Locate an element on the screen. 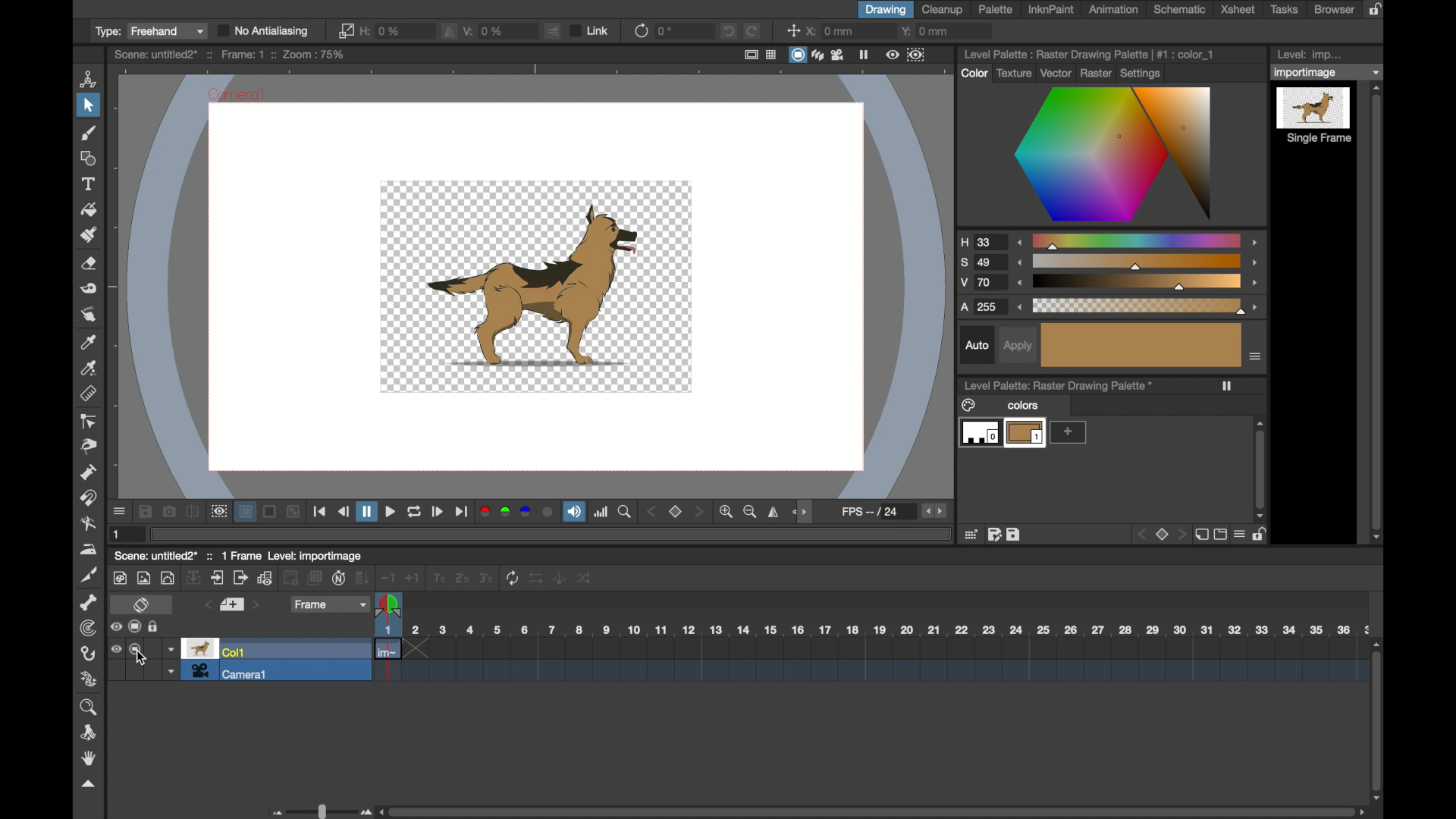  n is located at coordinates (339, 578).